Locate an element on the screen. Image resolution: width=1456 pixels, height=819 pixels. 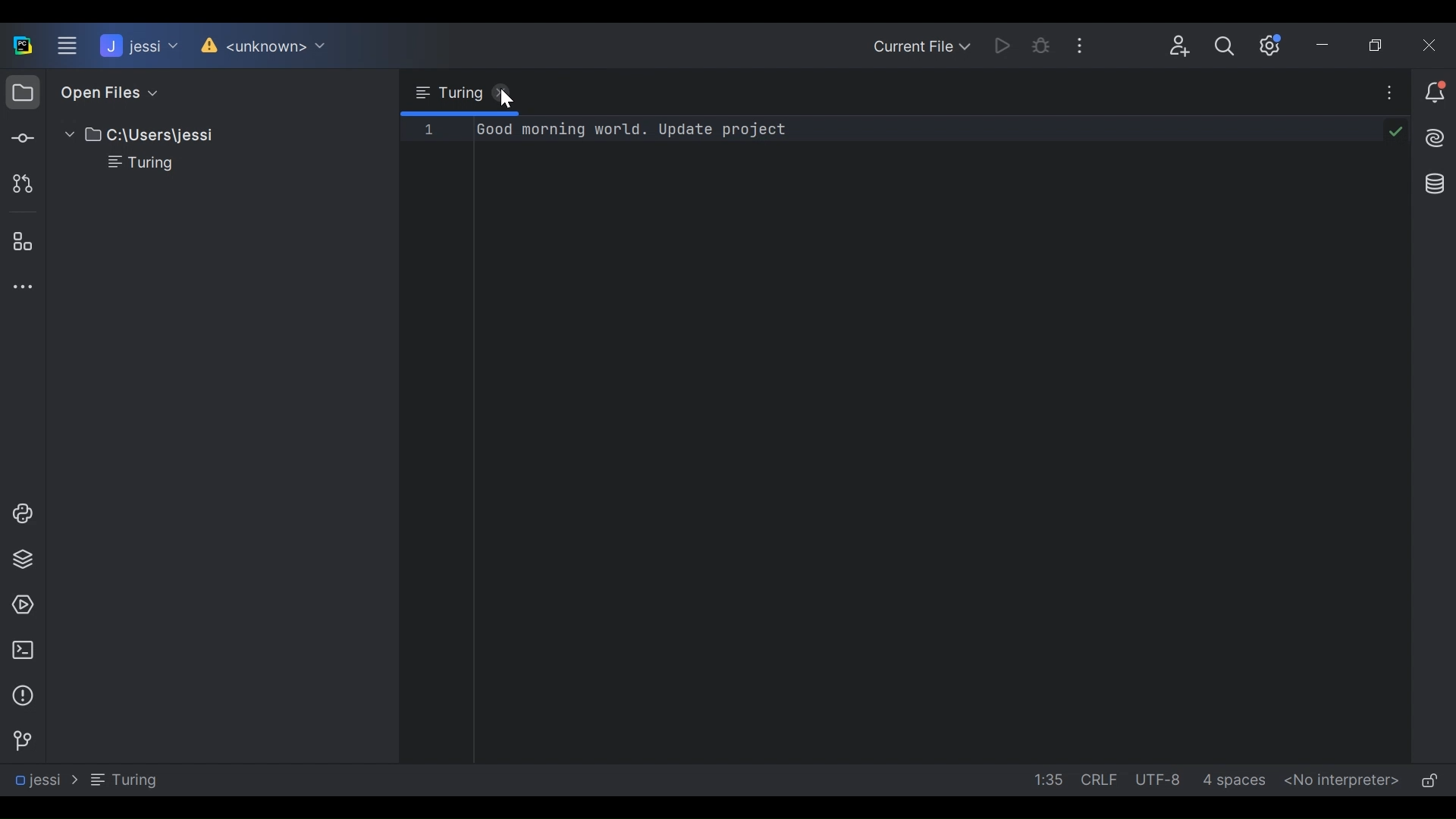
Commit is located at coordinates (21, 136).